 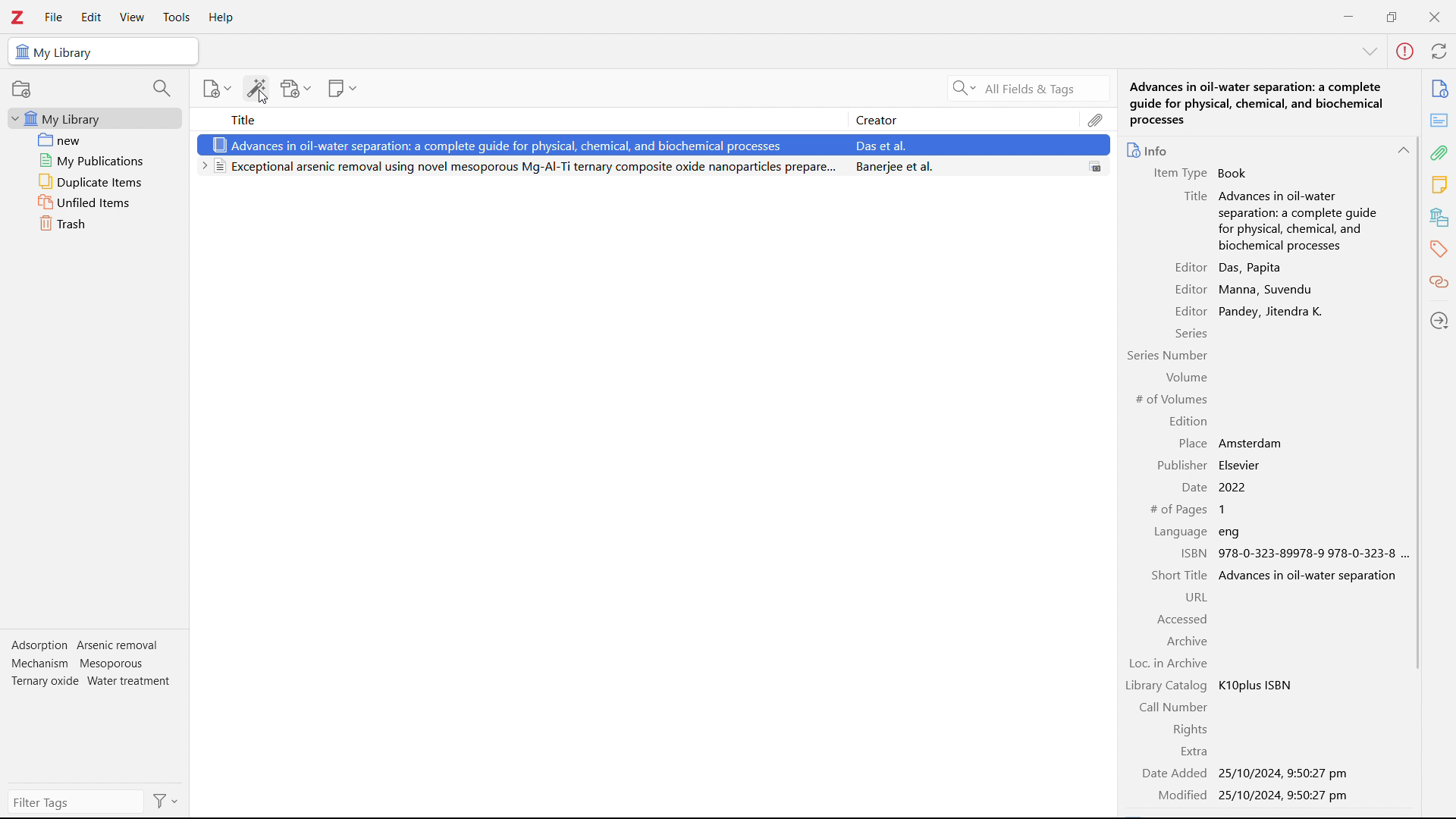 I want to click on tools, so click(x=175, y=17).